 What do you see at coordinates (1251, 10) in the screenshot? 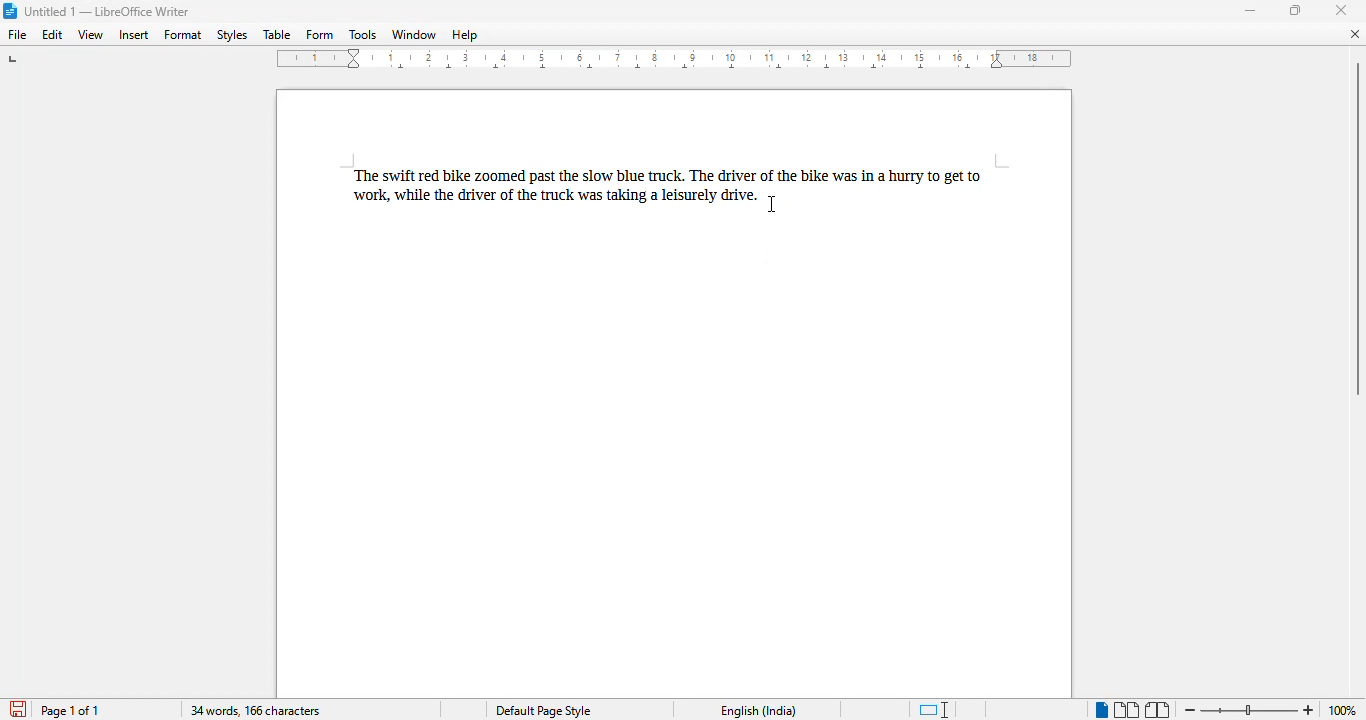
I see `minimize` at bounding box center [1251, 10].